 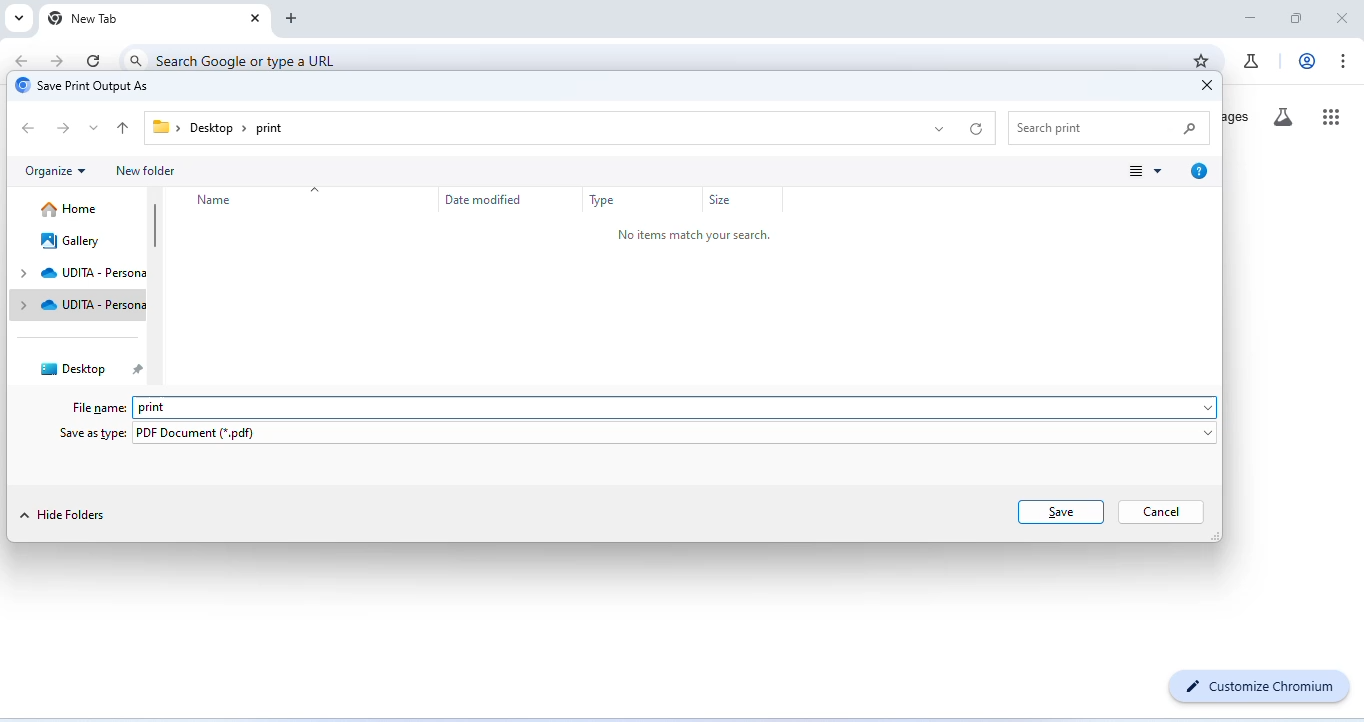 I want to click on close, so click(x=1201, y=86).